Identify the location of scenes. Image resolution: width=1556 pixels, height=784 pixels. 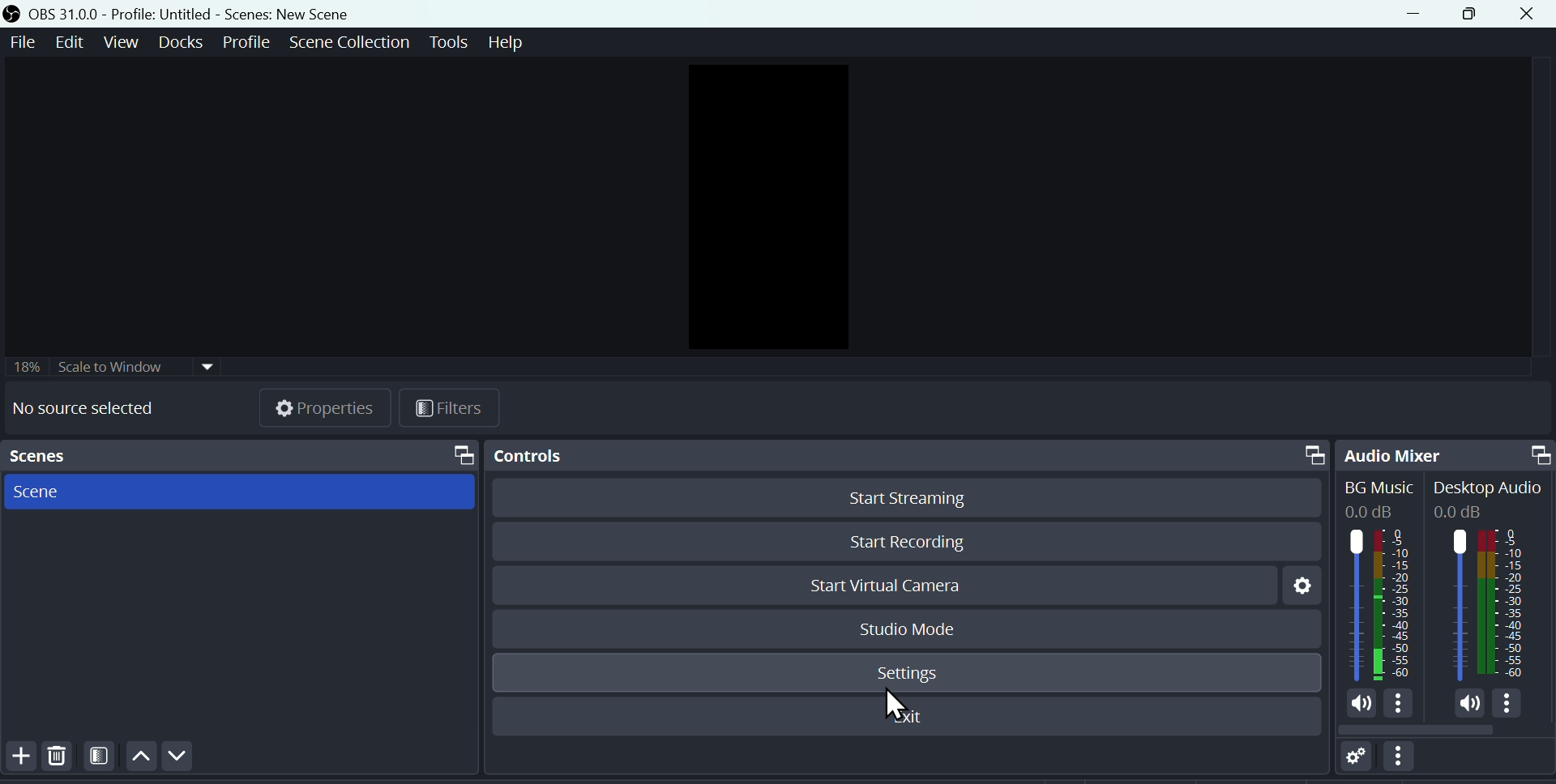
(240, 455).